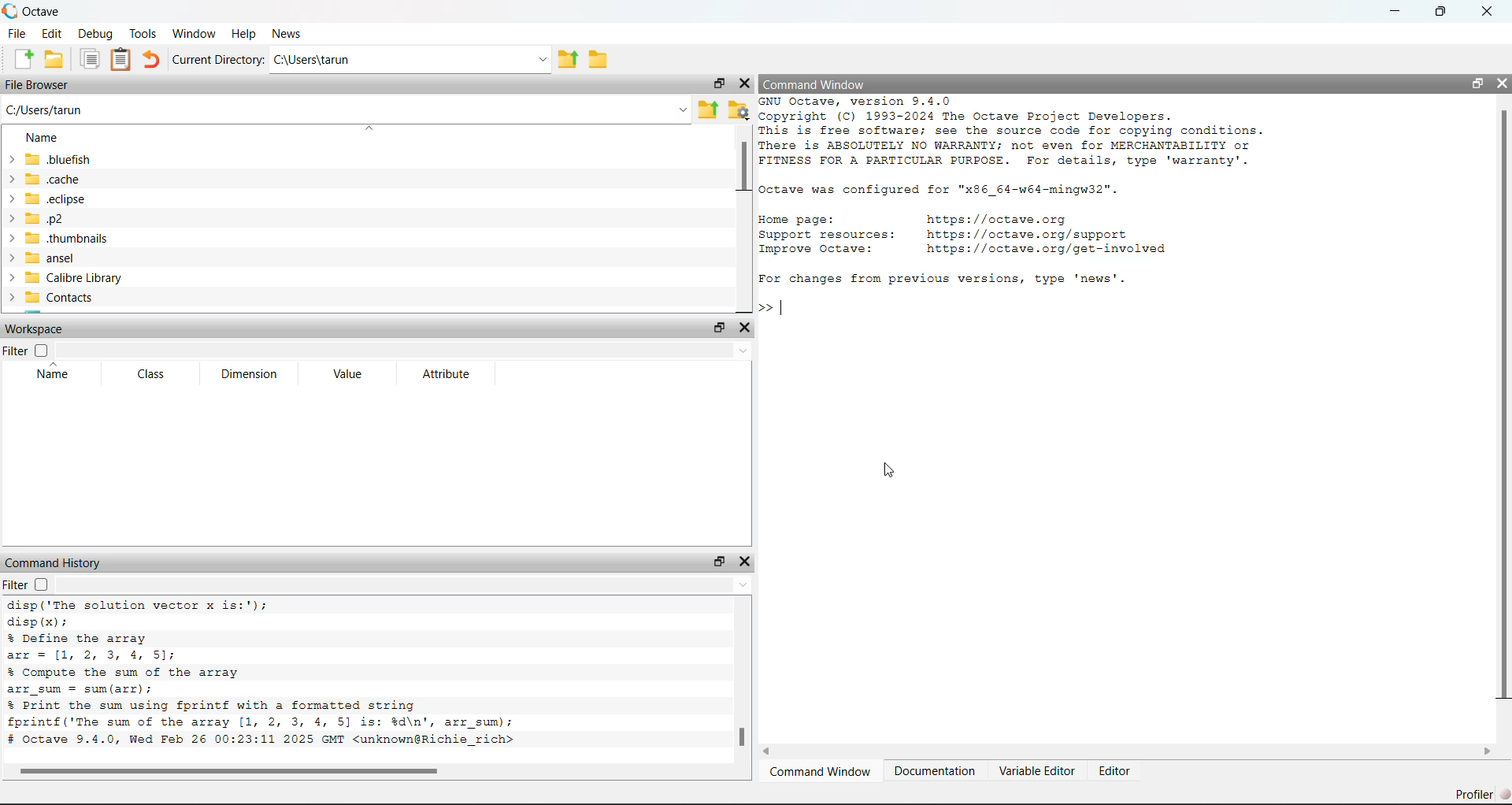 The image size is (1512, 805). What do you see at coordinates (746, 562) in the screenshot?
I see `Close` at bounding box center [746, 562].